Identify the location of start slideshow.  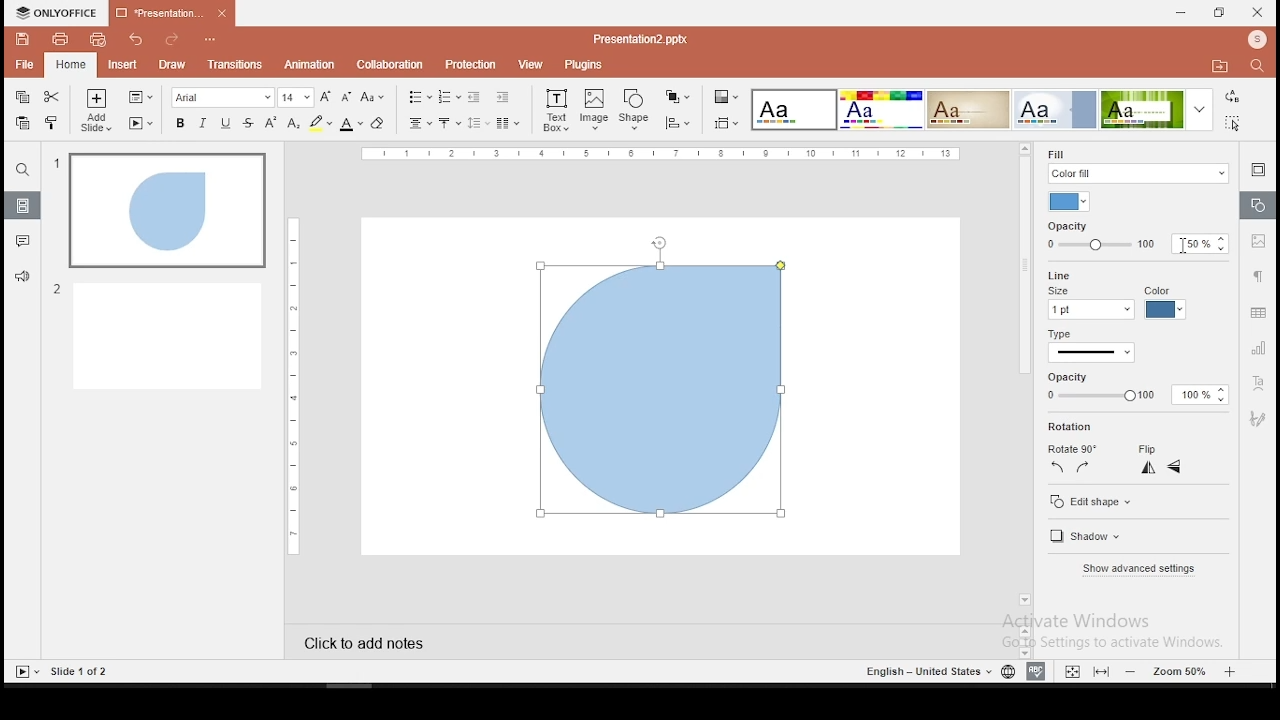
(27, 672).